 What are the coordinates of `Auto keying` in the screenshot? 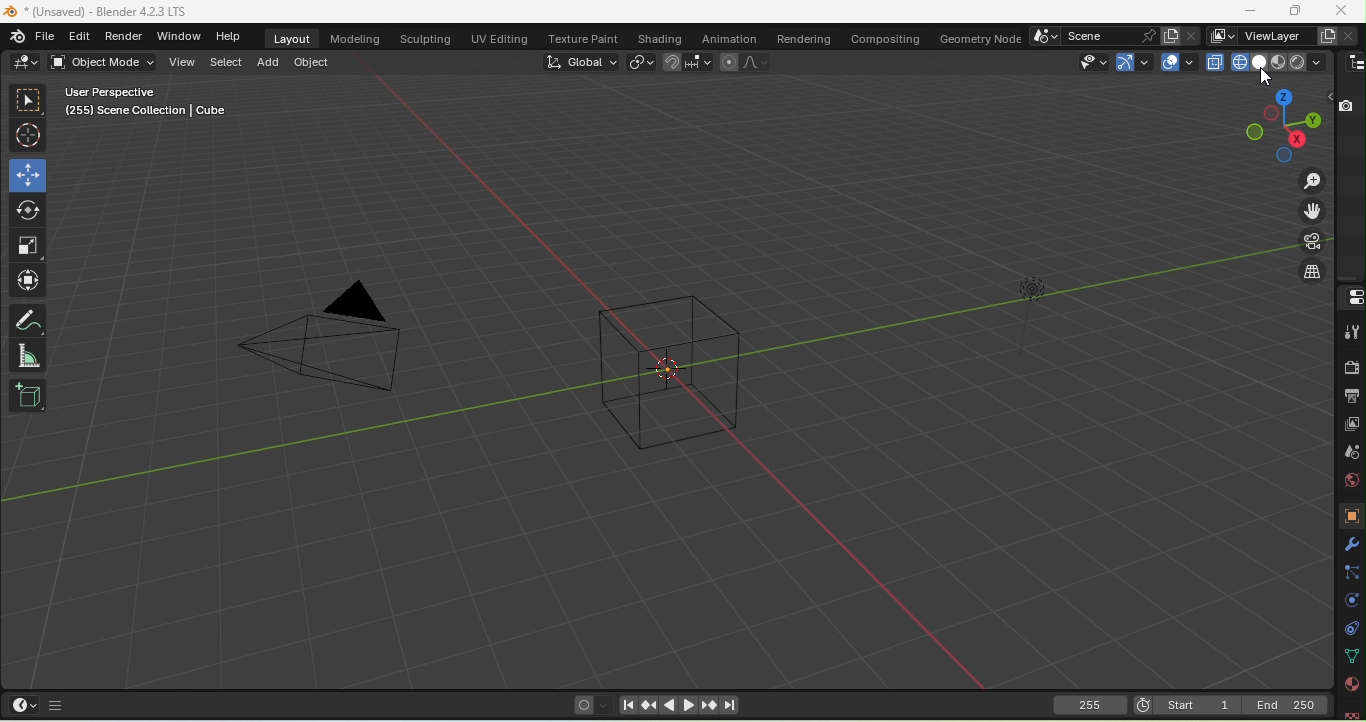 It's located at (584, 707).